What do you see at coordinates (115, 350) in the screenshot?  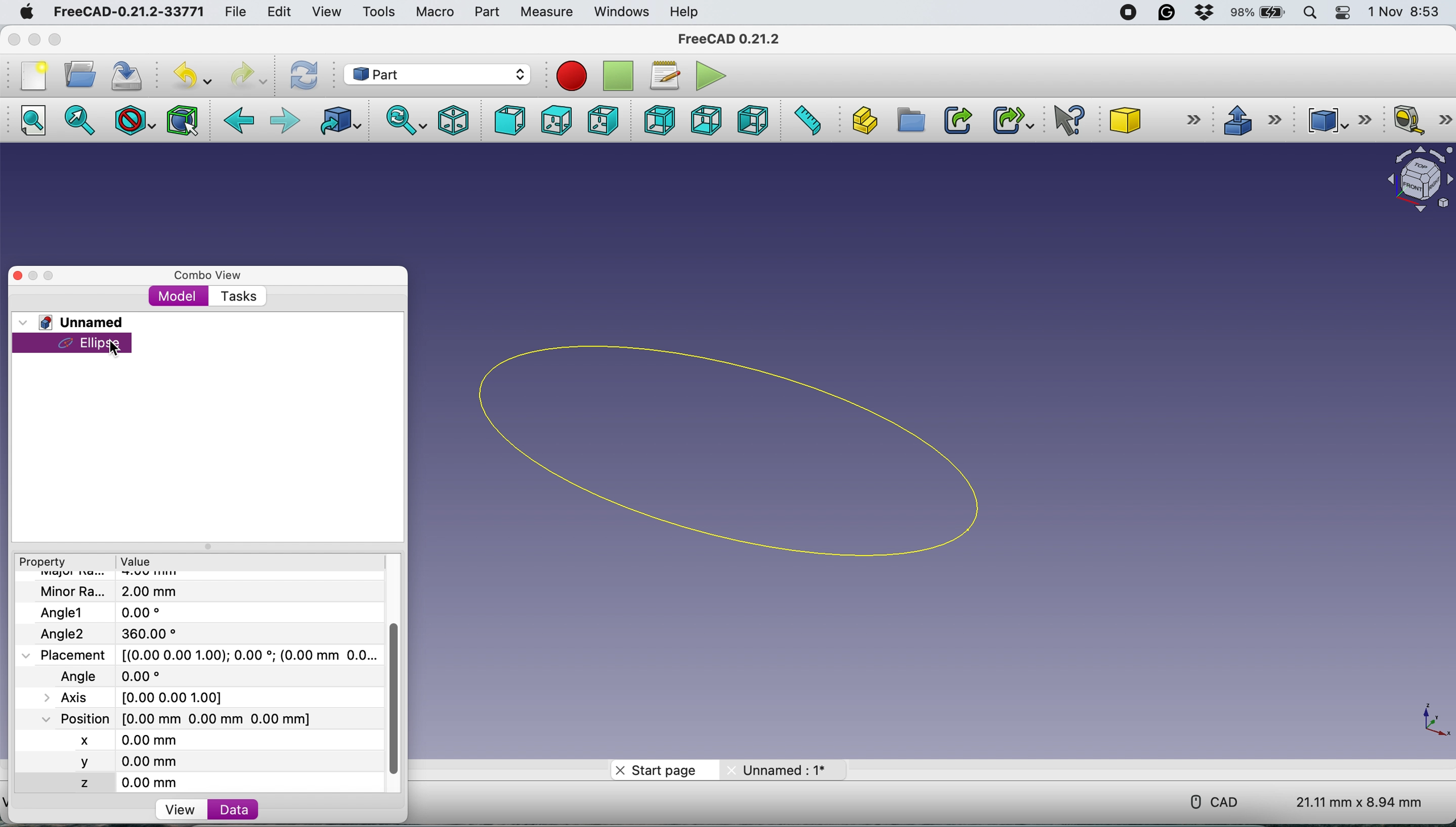 I see `cursor` at bounding box center [115, 350].